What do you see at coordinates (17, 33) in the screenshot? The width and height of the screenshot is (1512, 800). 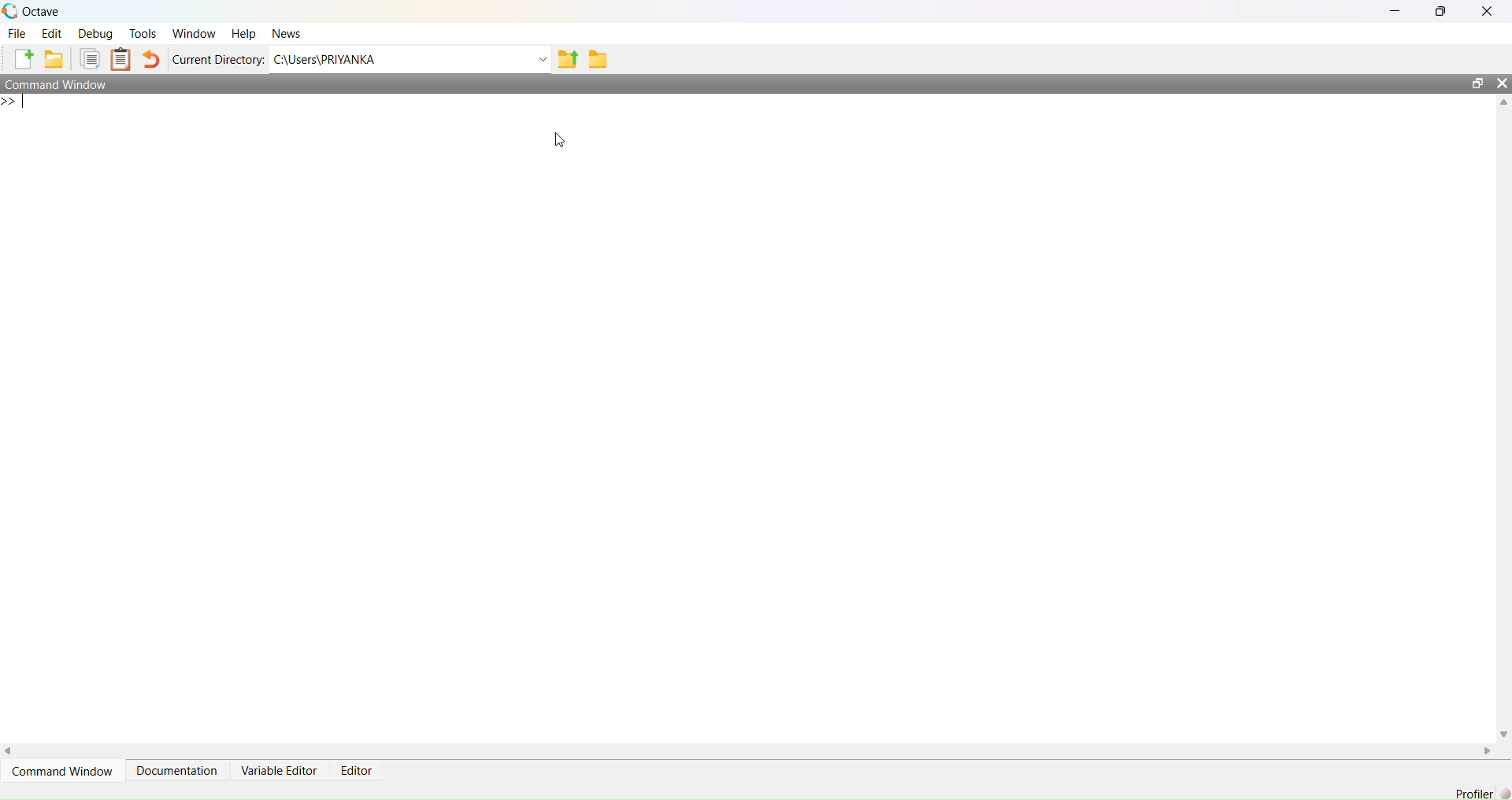 I see `File` at bounding box center [17, 33].